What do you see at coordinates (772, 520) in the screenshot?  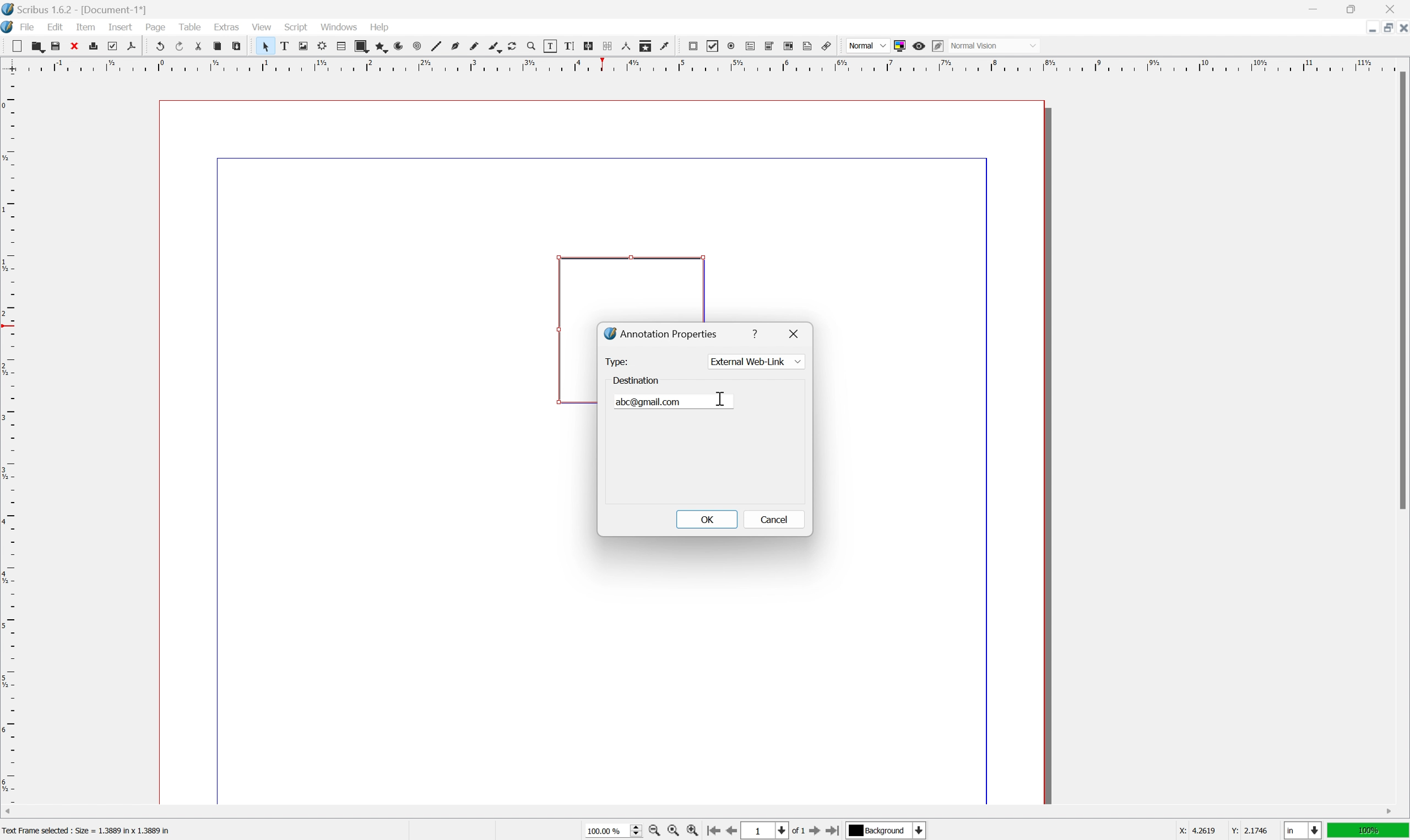 I see `cancel` at bounding box center [772, 520].